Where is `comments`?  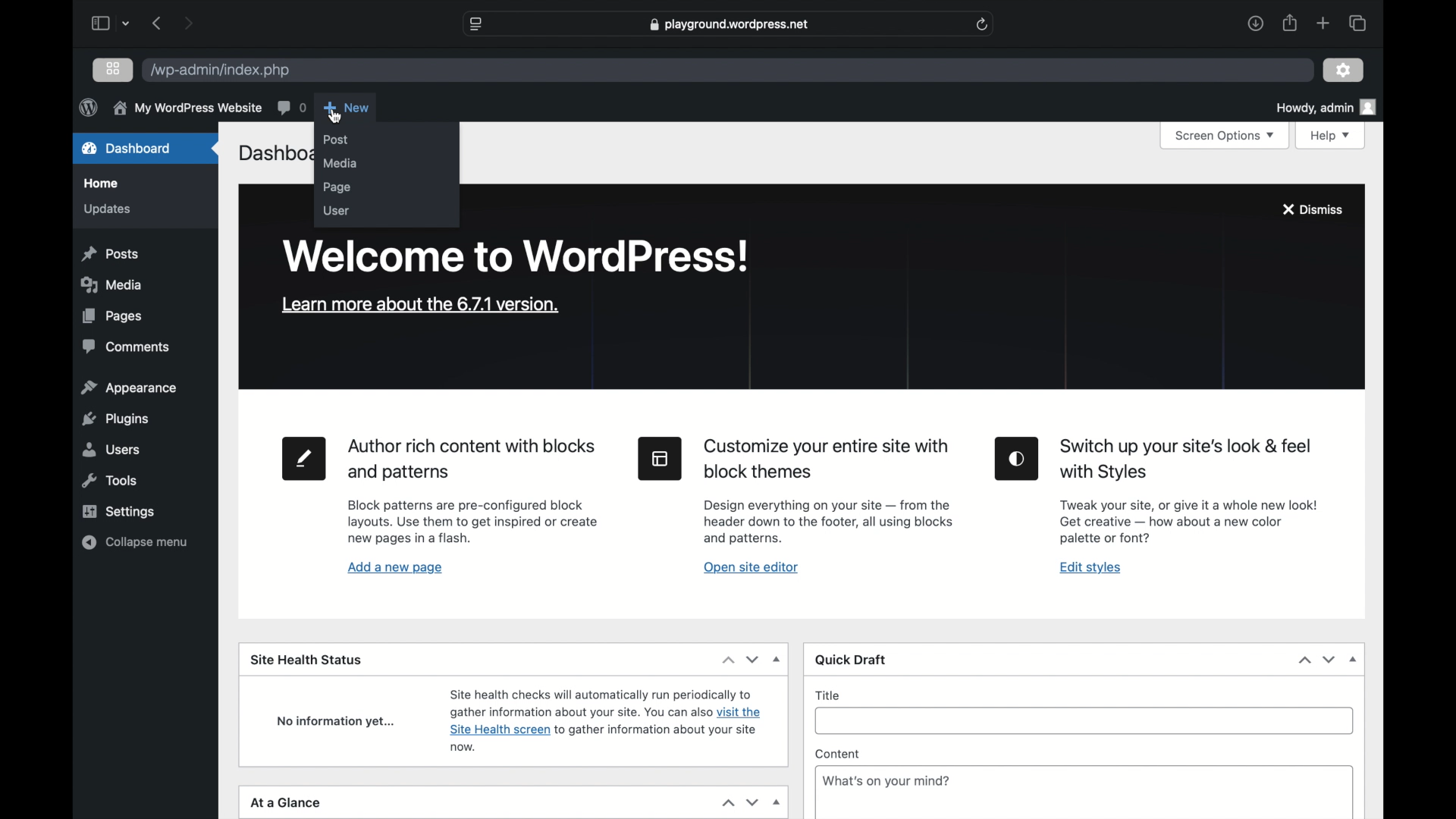
comments is located at coordinates (291, 107).